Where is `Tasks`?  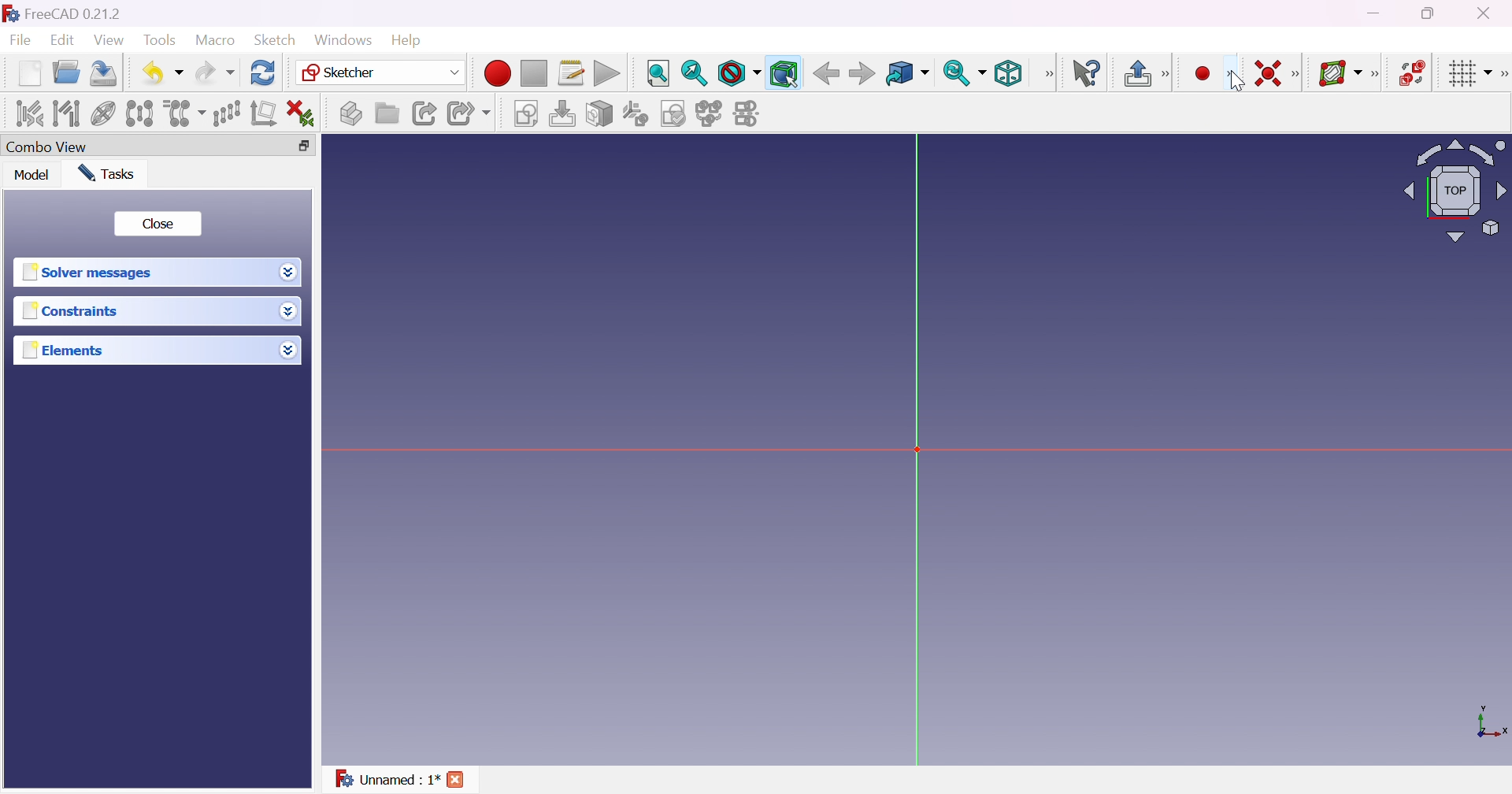
Tasks is located at coordinates (106, 173).